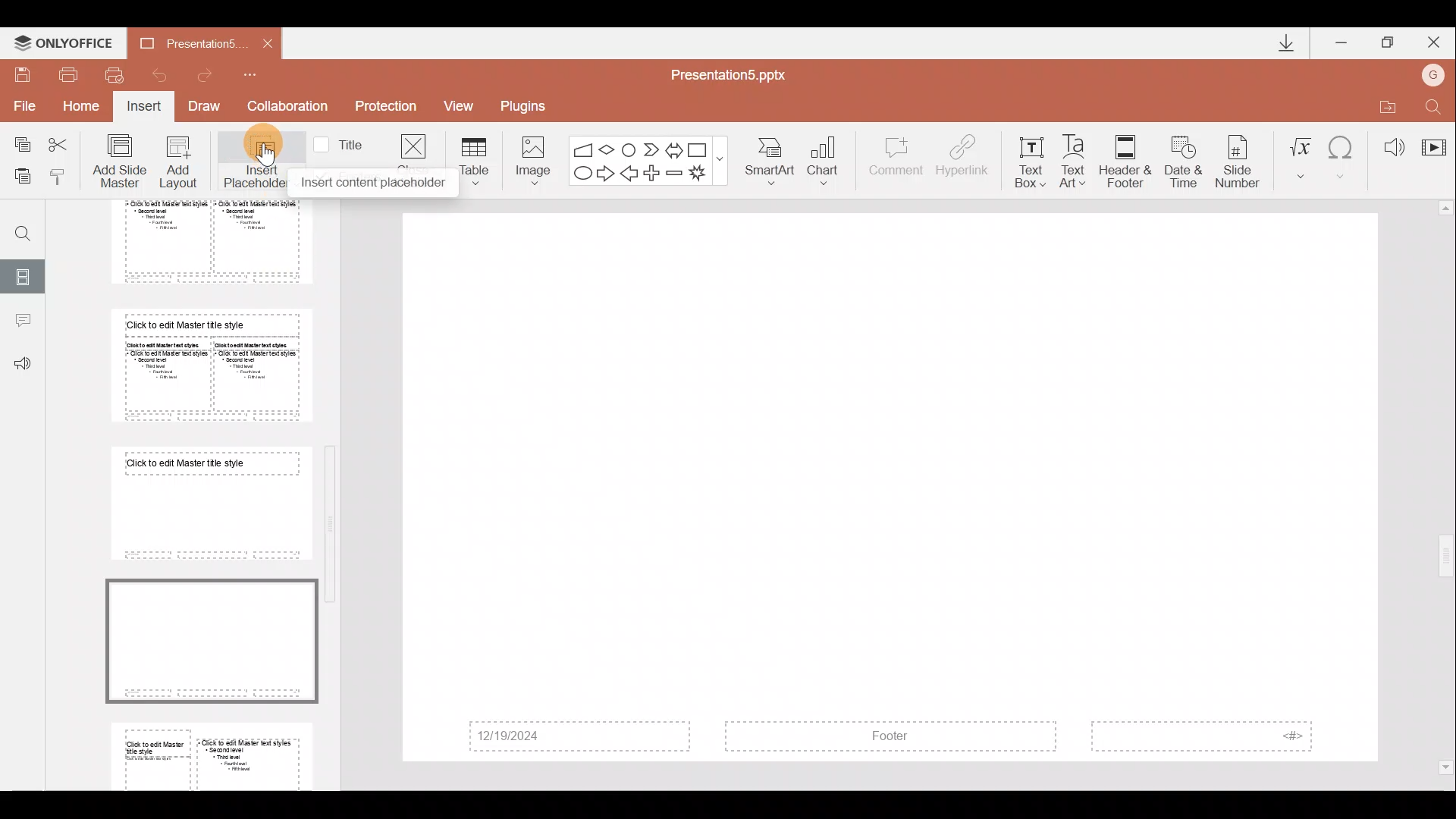 This screenshot has width=1456, height=819. What do you see at coordinates (673, 147) in the screenshot?
I see `Left right arrow` at bounding box center [673, 147].